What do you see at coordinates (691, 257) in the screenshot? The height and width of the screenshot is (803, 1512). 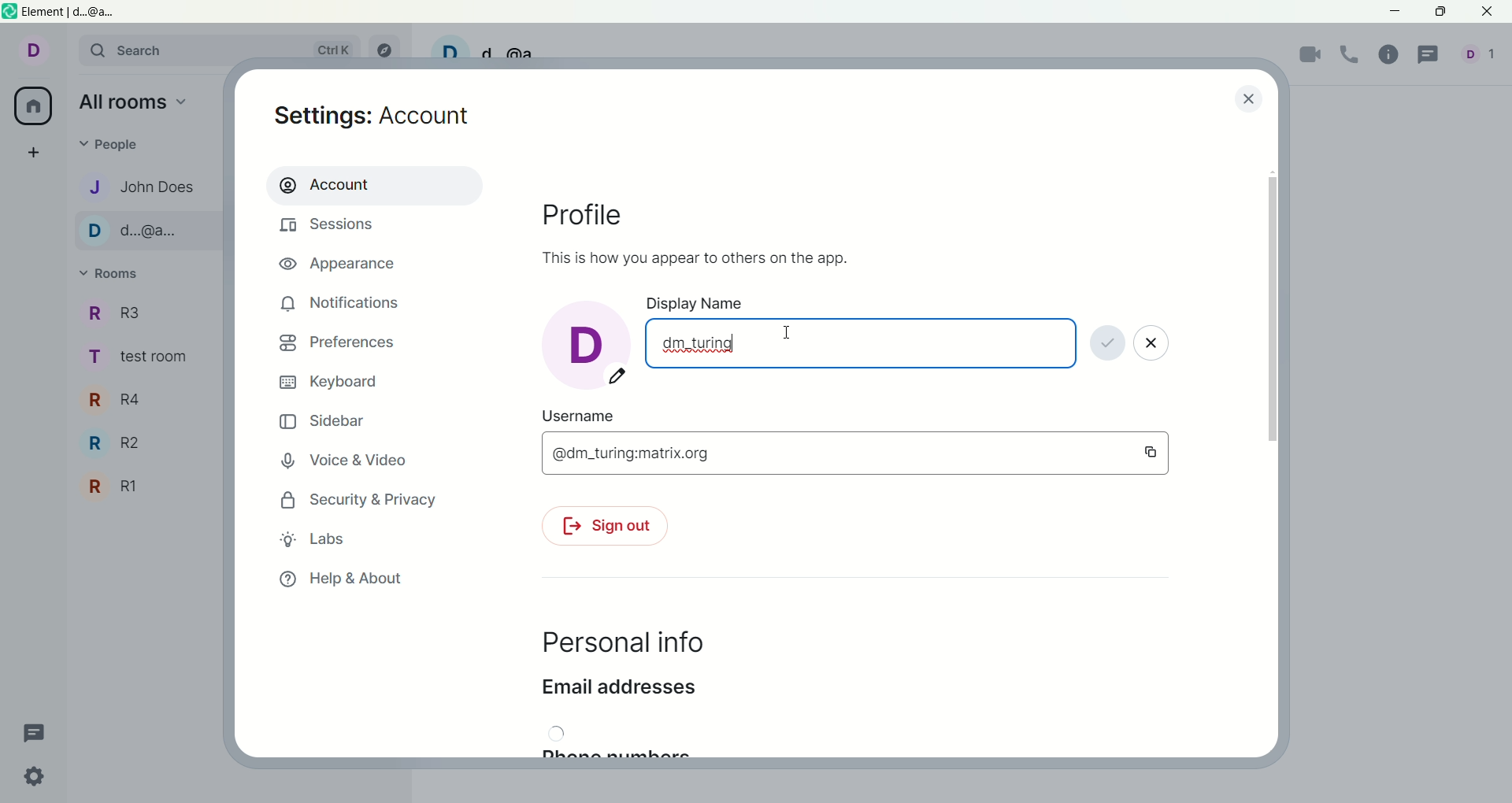 I see `This is how you appear to others on the app` at bounding box center [691, 257].